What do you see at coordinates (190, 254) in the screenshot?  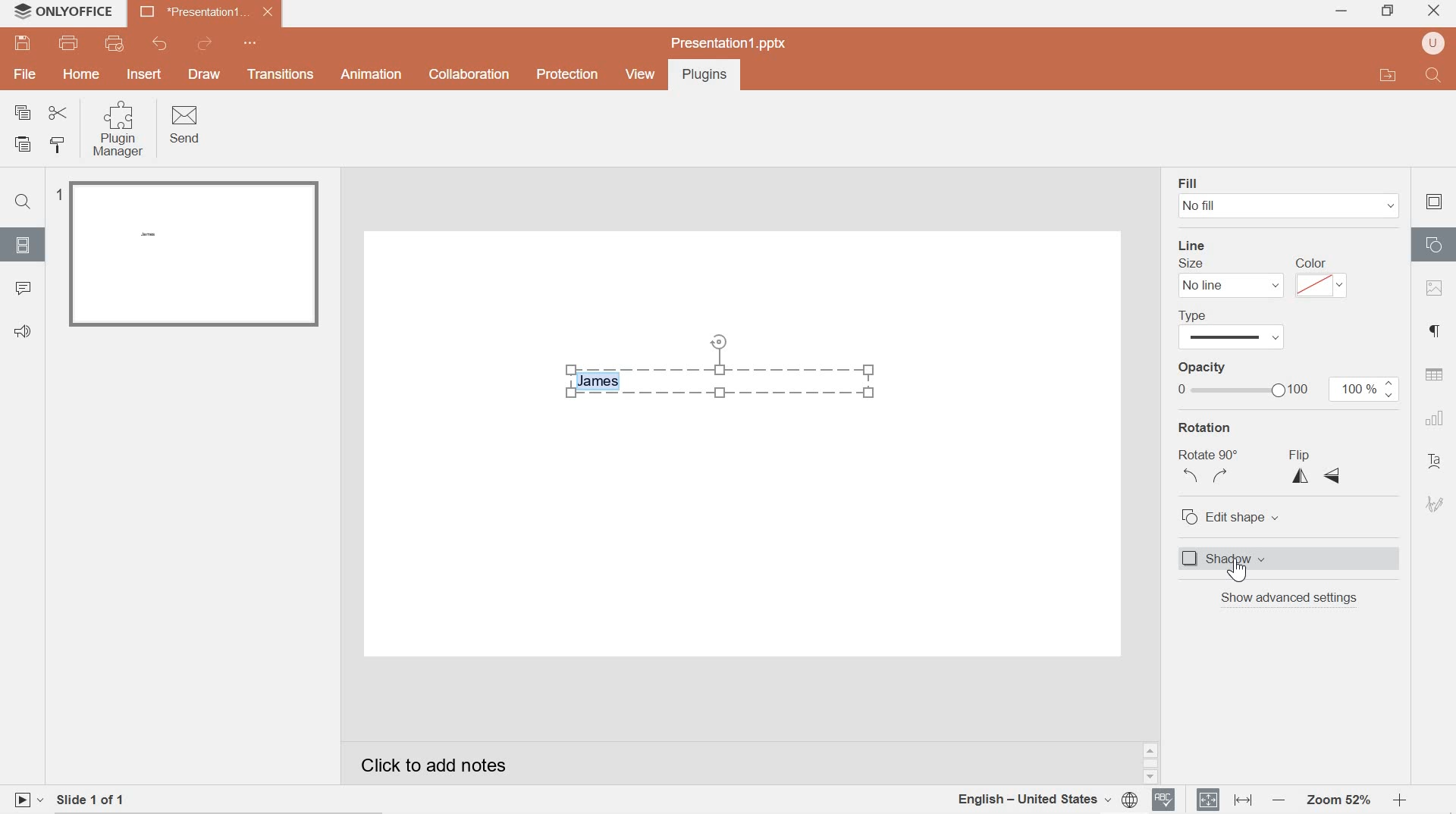 I see `slide 1` at bounding box center [190, 254].